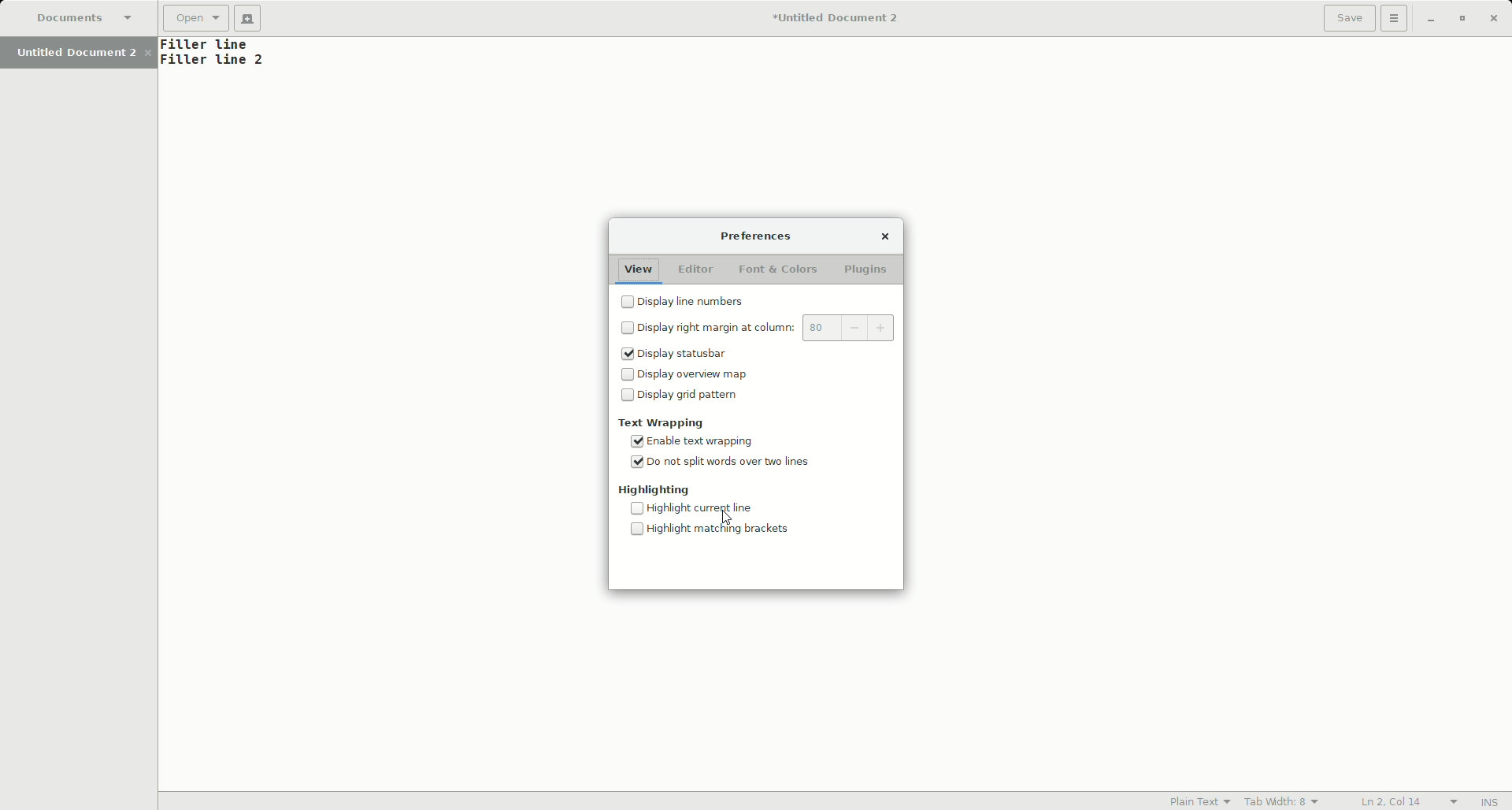  I want to click on Close, so click(884, 236).